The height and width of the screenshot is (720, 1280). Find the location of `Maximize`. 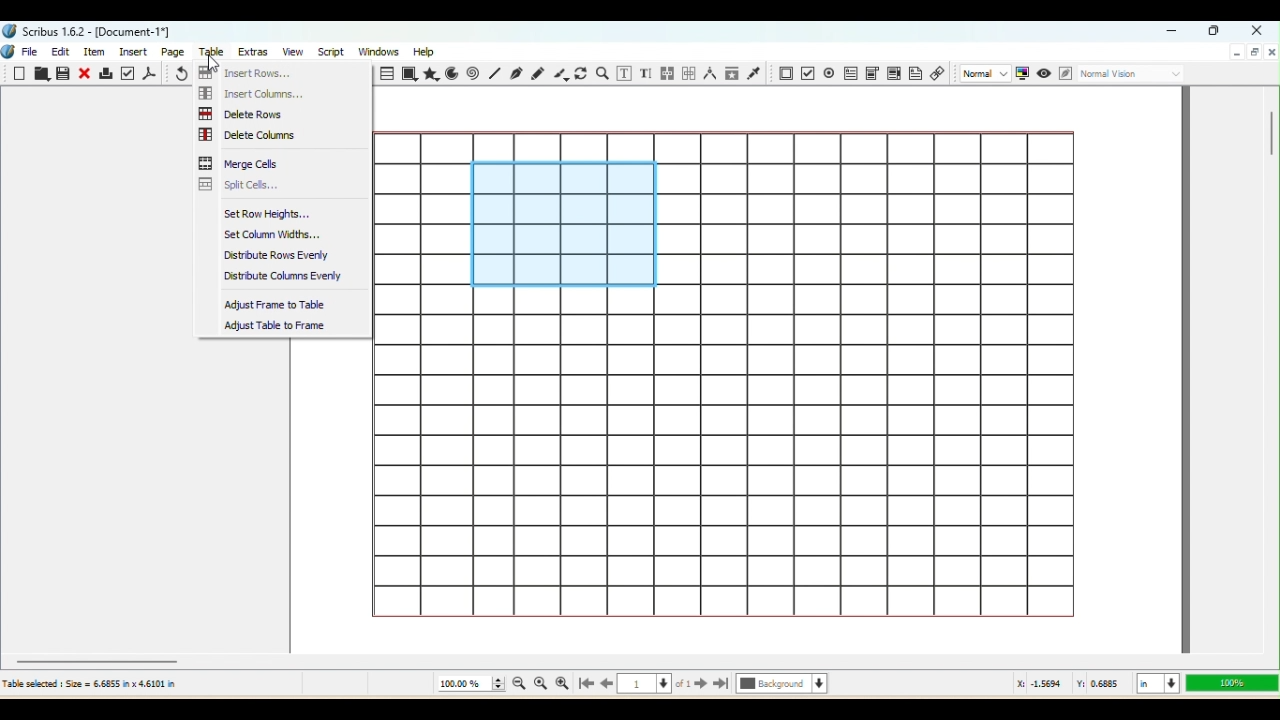

Maximize is located at coordinates (1216, 32).